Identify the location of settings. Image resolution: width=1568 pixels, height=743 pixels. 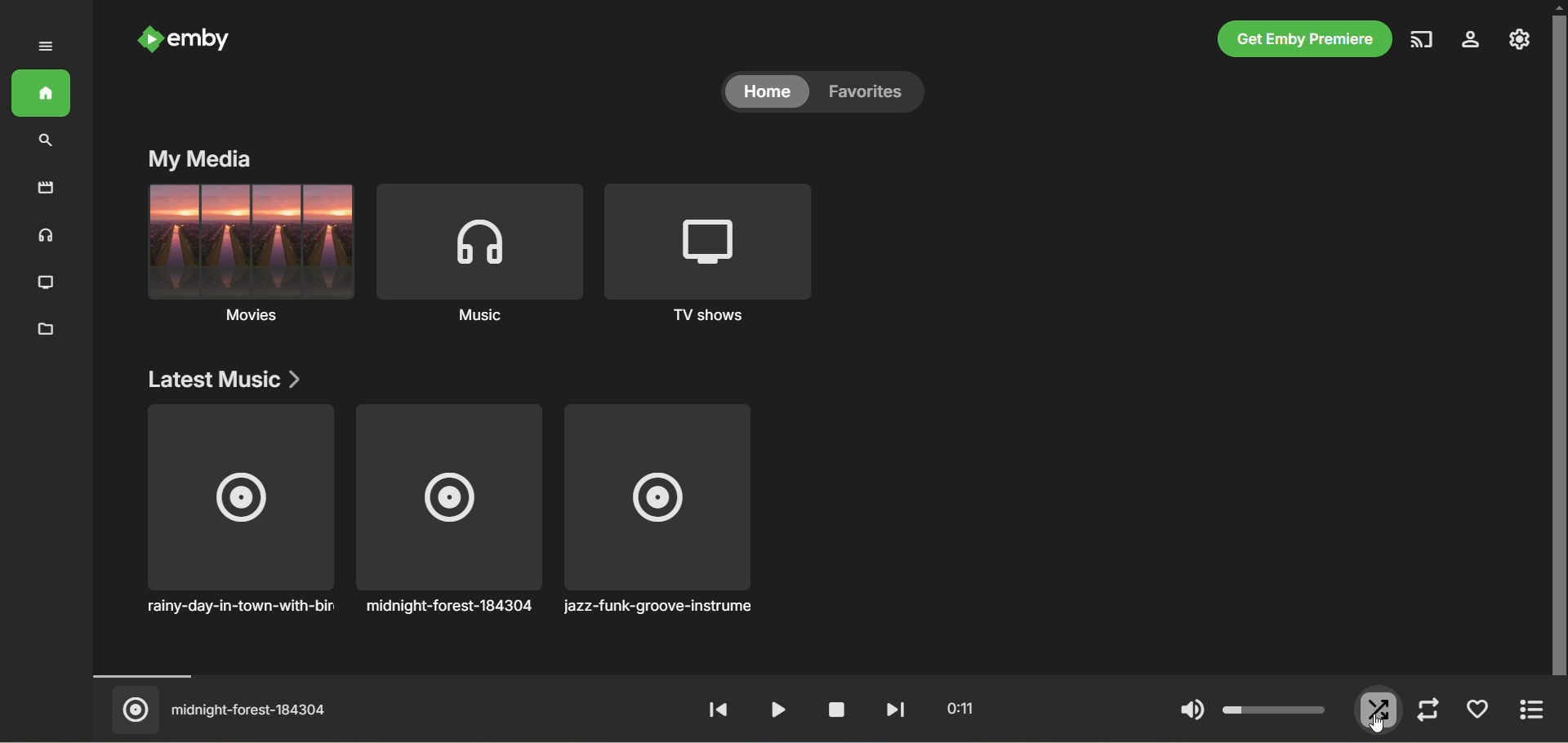
(1472, 40).